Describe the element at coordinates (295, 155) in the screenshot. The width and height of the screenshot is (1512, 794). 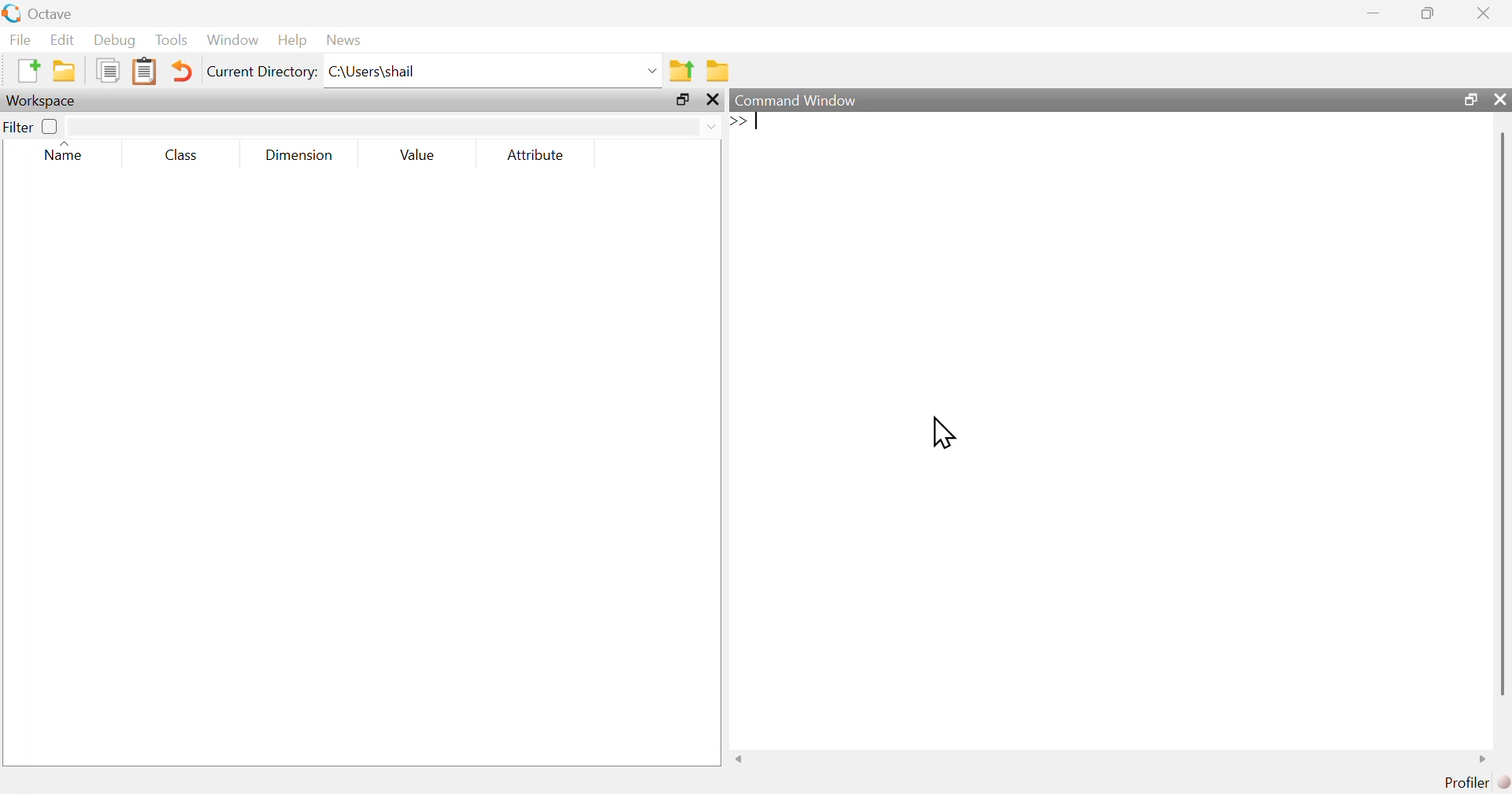
I see `Dimension` at that location.